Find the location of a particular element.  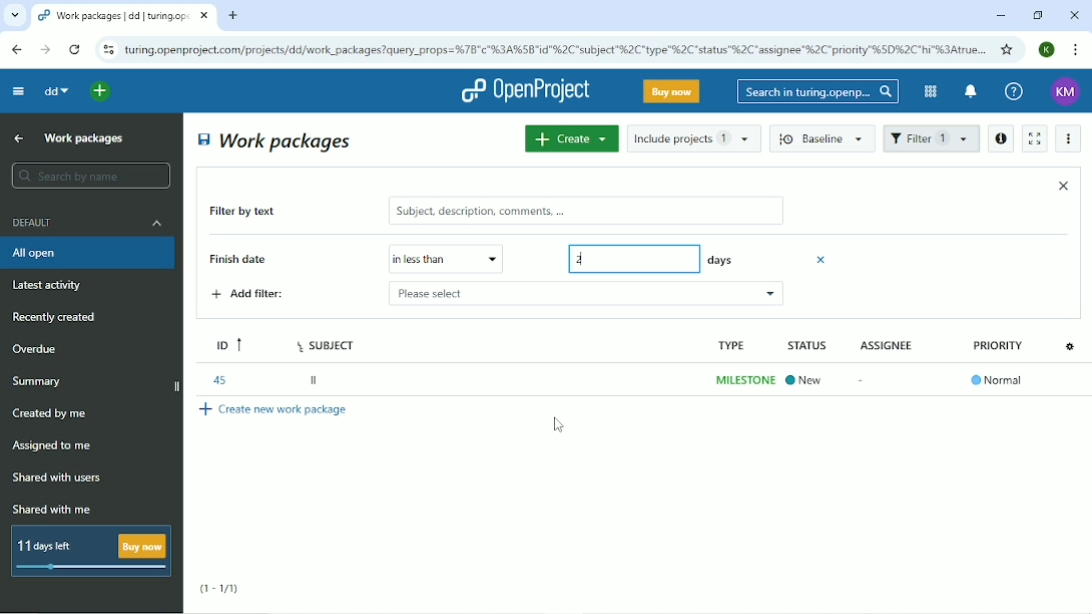

Shared with users is located at coordinates (58, 478).